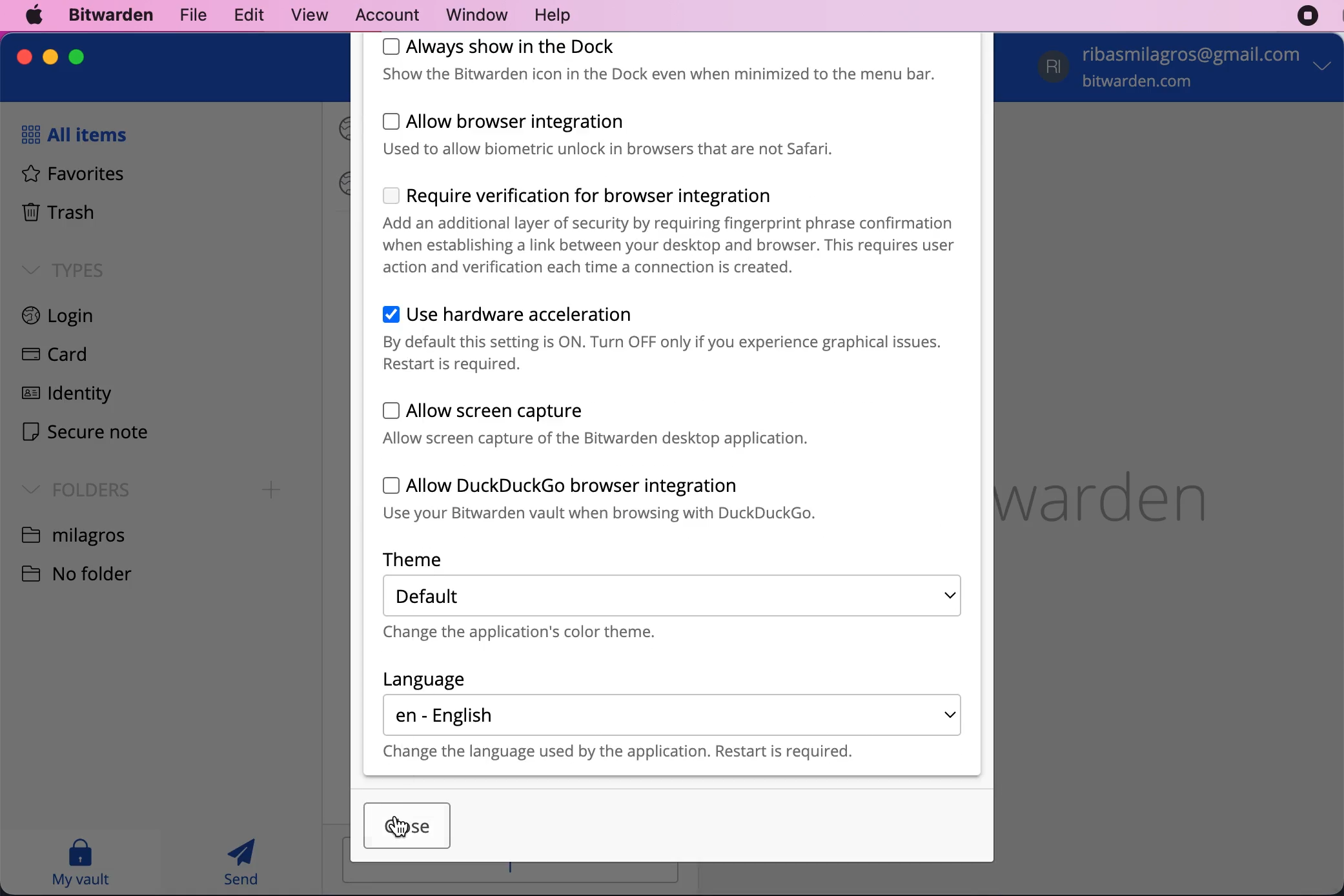 This screenshot has width=1344, height=896. I want to click on window, so click(469, 15).